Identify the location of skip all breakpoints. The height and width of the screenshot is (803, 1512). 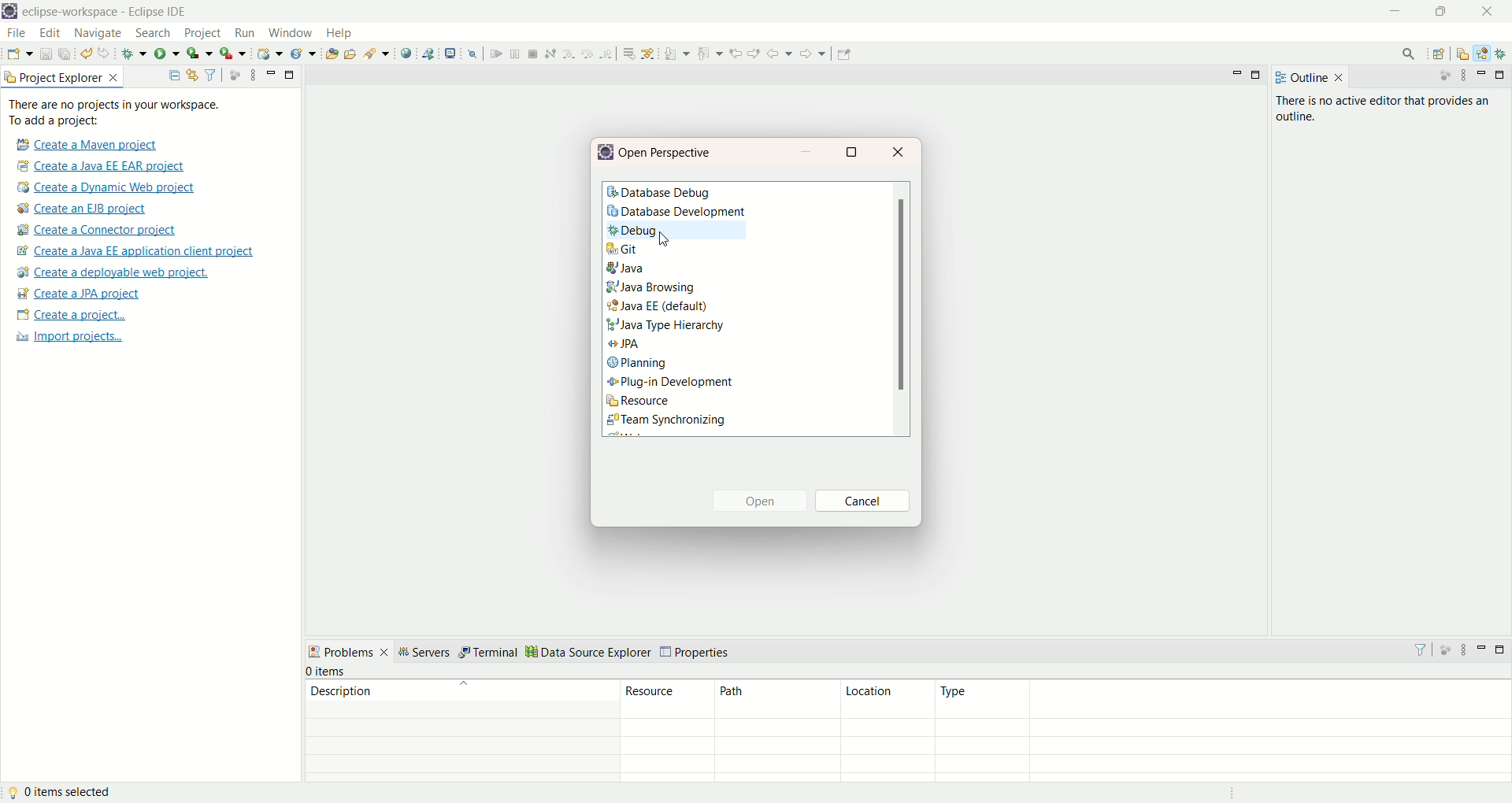
(472, 55).